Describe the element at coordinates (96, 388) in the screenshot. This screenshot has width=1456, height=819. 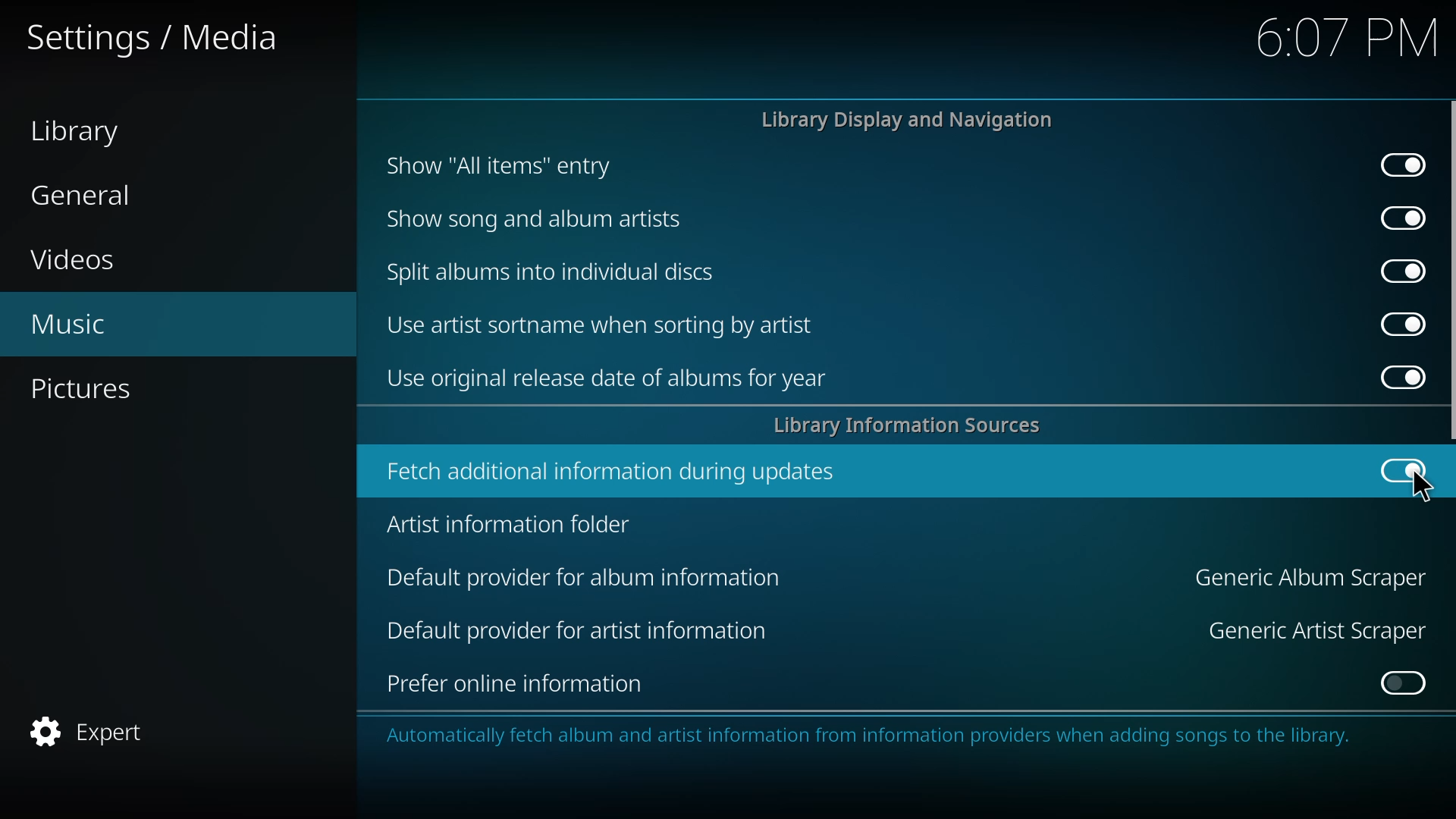
I see `pictures` at that location.